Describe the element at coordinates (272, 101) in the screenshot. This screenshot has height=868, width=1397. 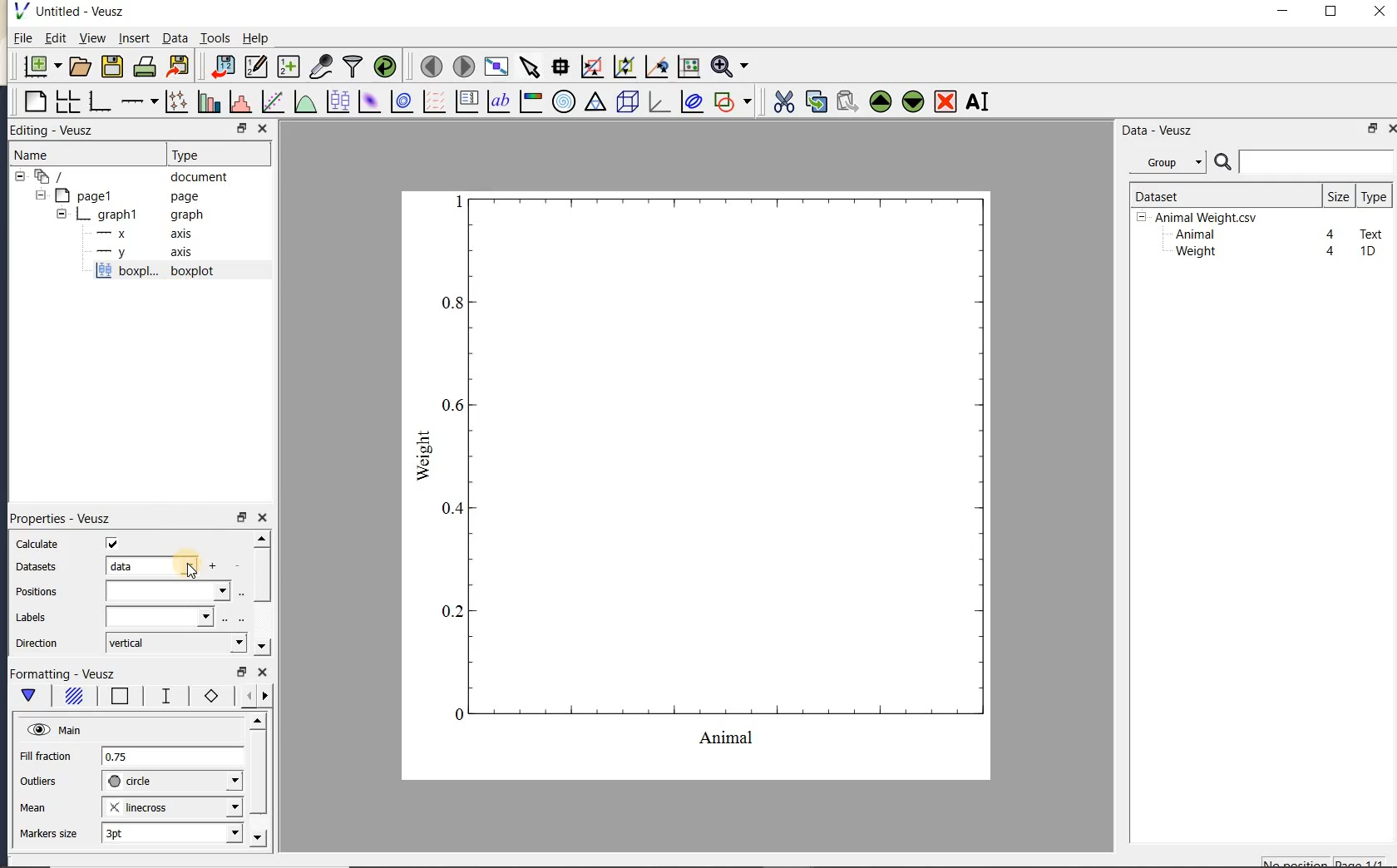
I see `fit a function to data` at that location.